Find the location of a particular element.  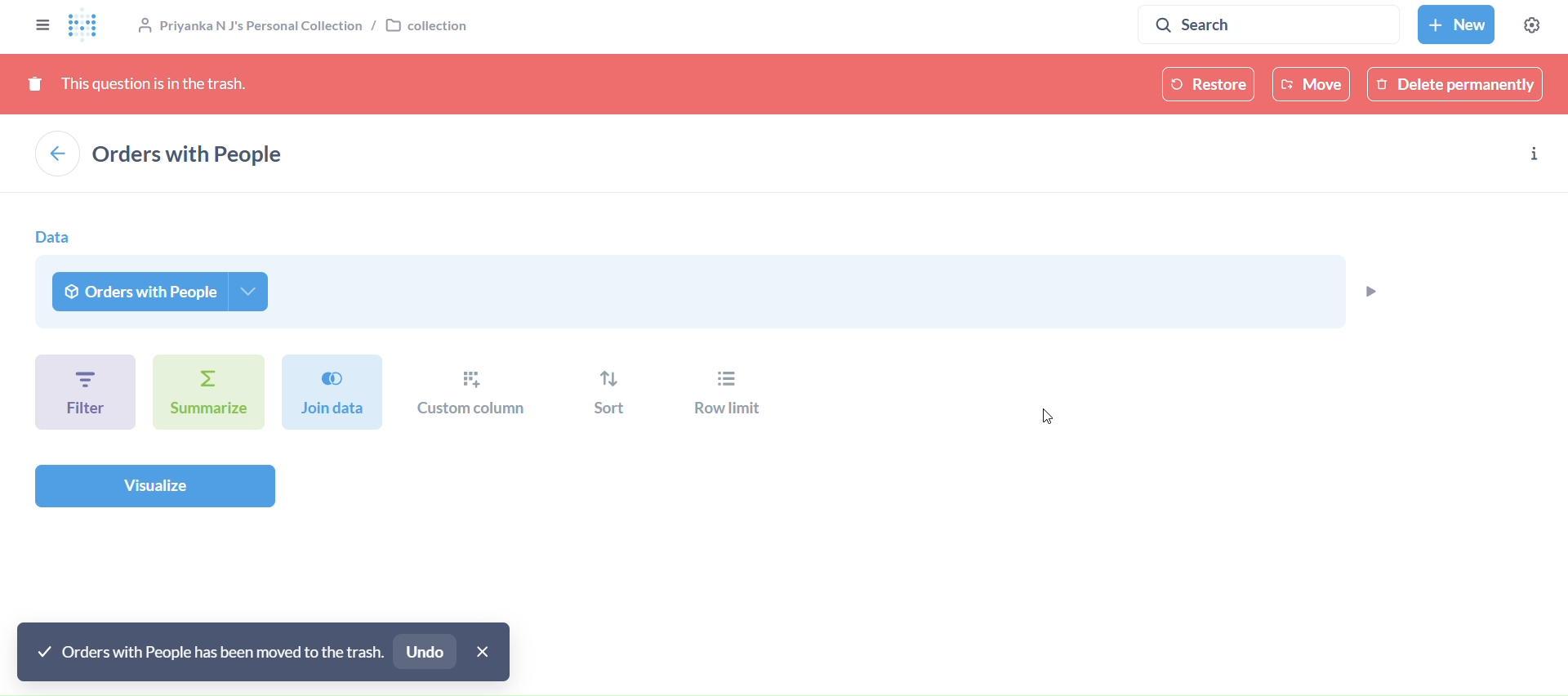

visualize is located at coordinates (157, 487).